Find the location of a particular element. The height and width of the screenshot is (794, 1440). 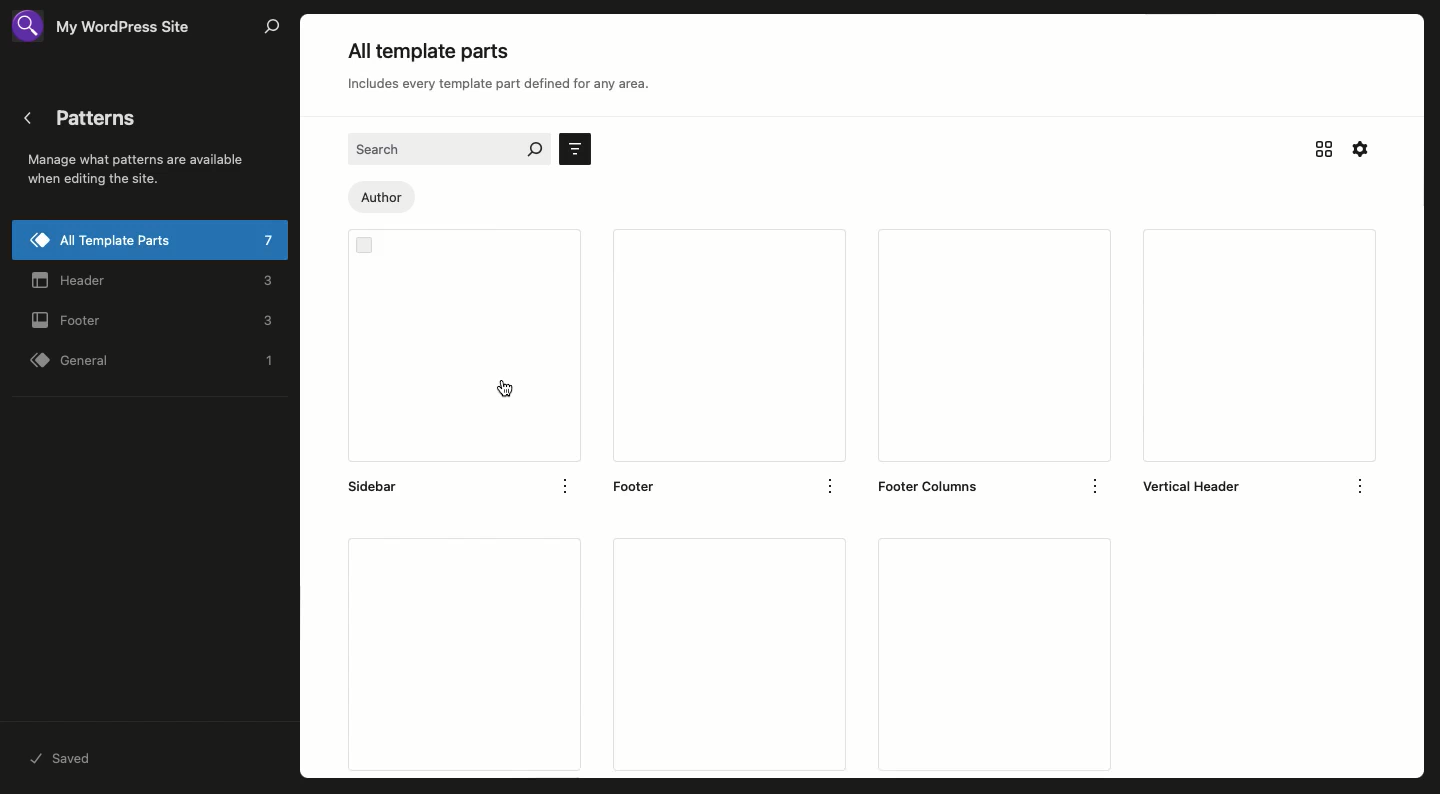

options is located at coordinates (1099, 485).